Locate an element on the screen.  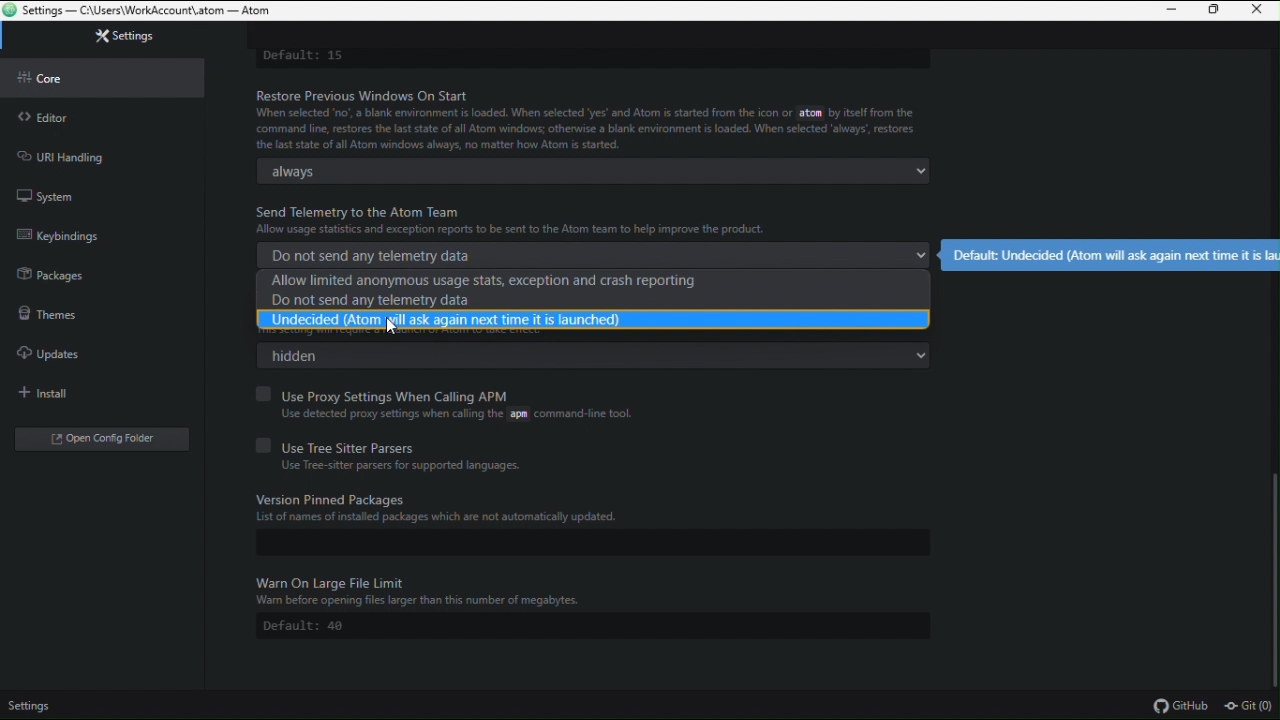
Use Proxy Settings When Calling APM is located at coordinates (571, 394).